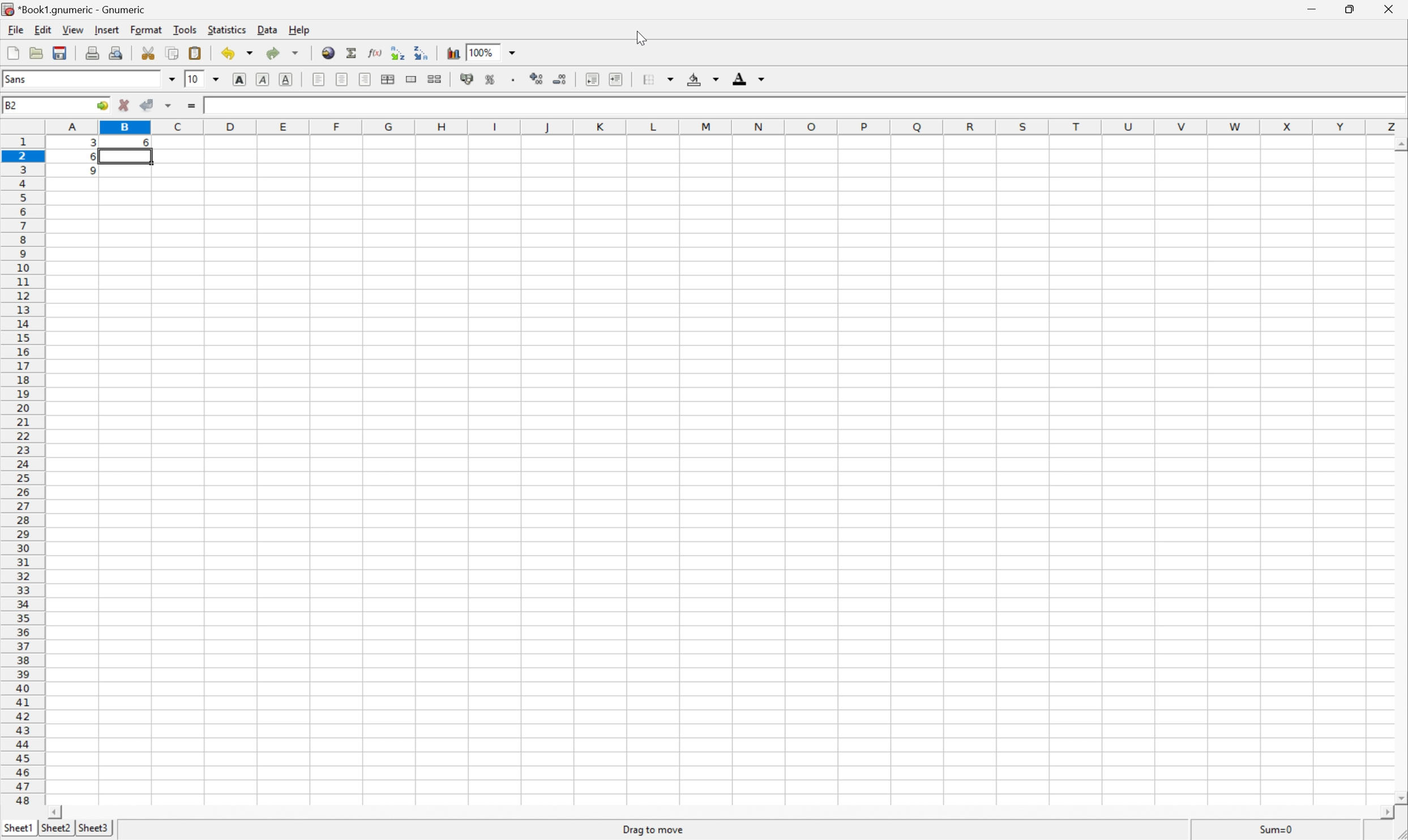  Describe the element at coordinates (185, 28) in the screenshot. I see `Tools` at that location.